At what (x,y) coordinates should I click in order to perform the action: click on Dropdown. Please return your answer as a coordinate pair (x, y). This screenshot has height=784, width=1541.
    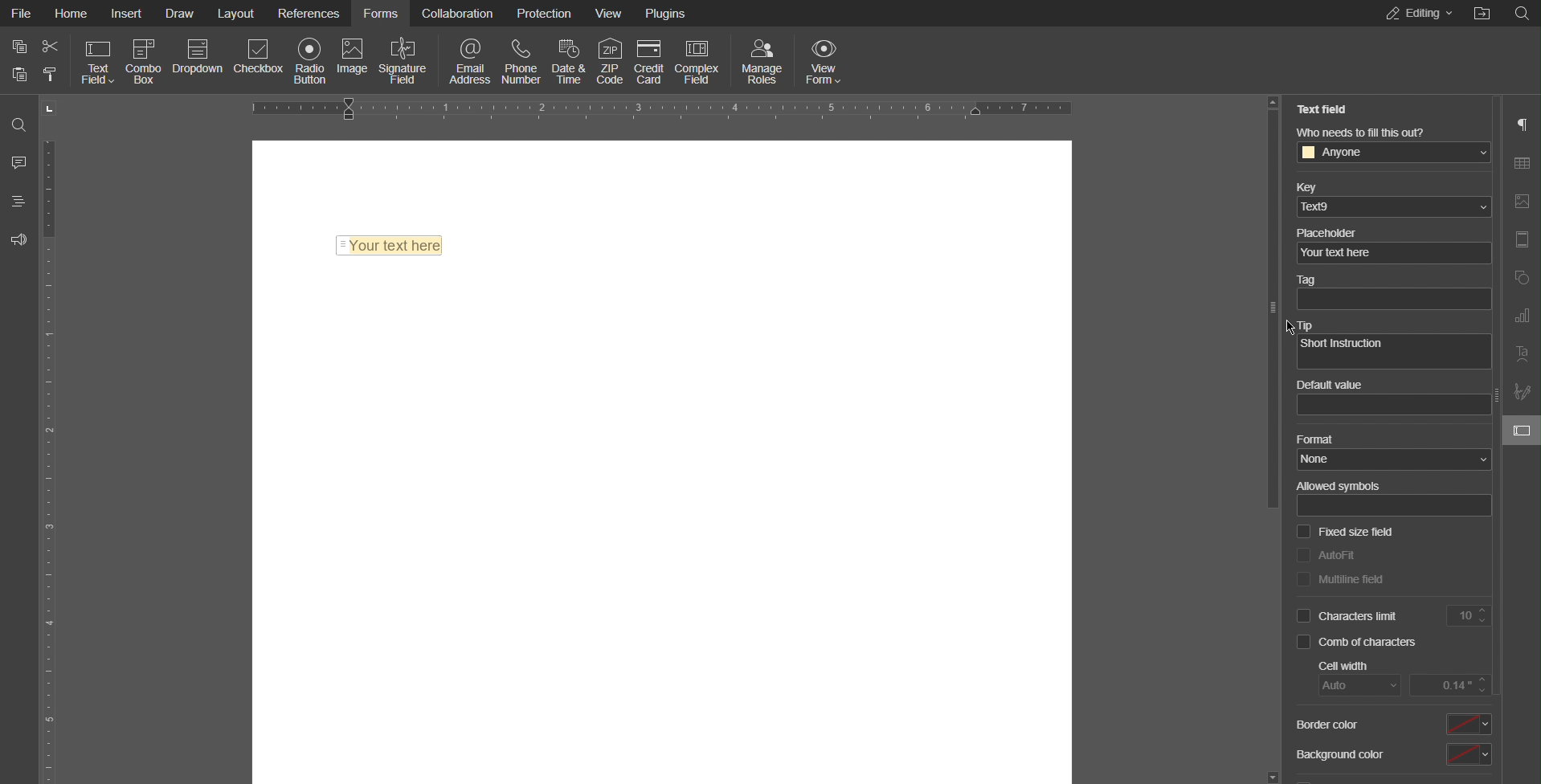
    Looking at the image, I should click on (195, 61).